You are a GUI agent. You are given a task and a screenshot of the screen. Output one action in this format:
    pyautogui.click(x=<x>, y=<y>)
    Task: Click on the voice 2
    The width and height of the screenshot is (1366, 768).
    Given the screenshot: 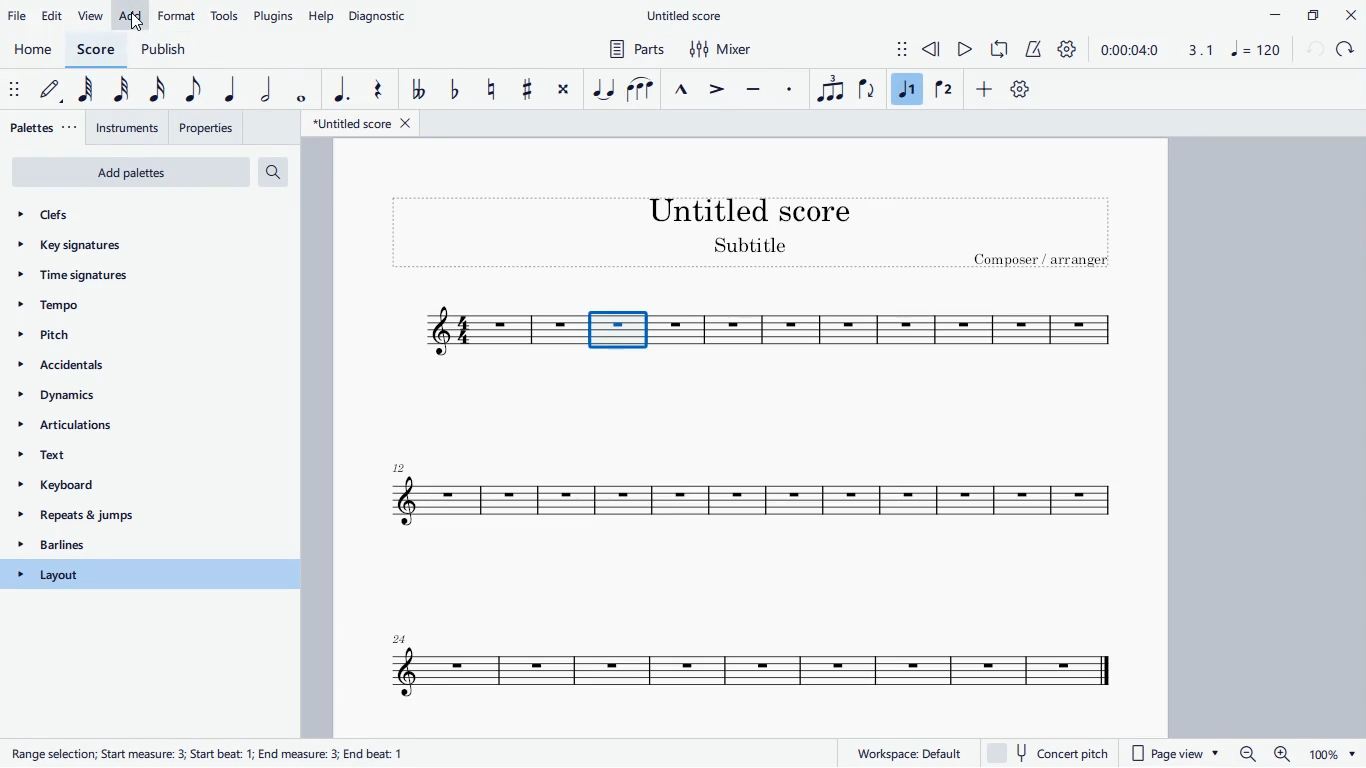 What is the action you would take?
    pyautogui.click(x=943, y=91)
    